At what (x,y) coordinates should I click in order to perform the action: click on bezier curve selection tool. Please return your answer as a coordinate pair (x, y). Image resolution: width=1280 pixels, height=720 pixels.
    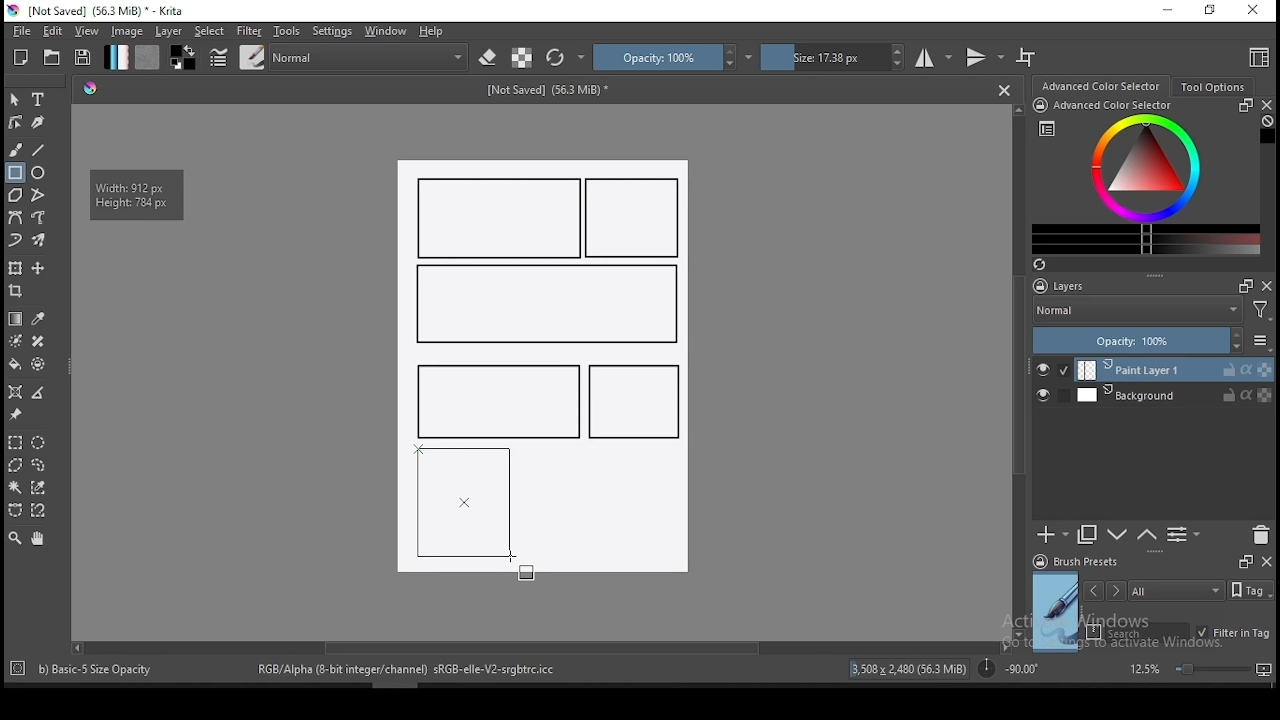
    Looking at the image, I should click on (15, 511).